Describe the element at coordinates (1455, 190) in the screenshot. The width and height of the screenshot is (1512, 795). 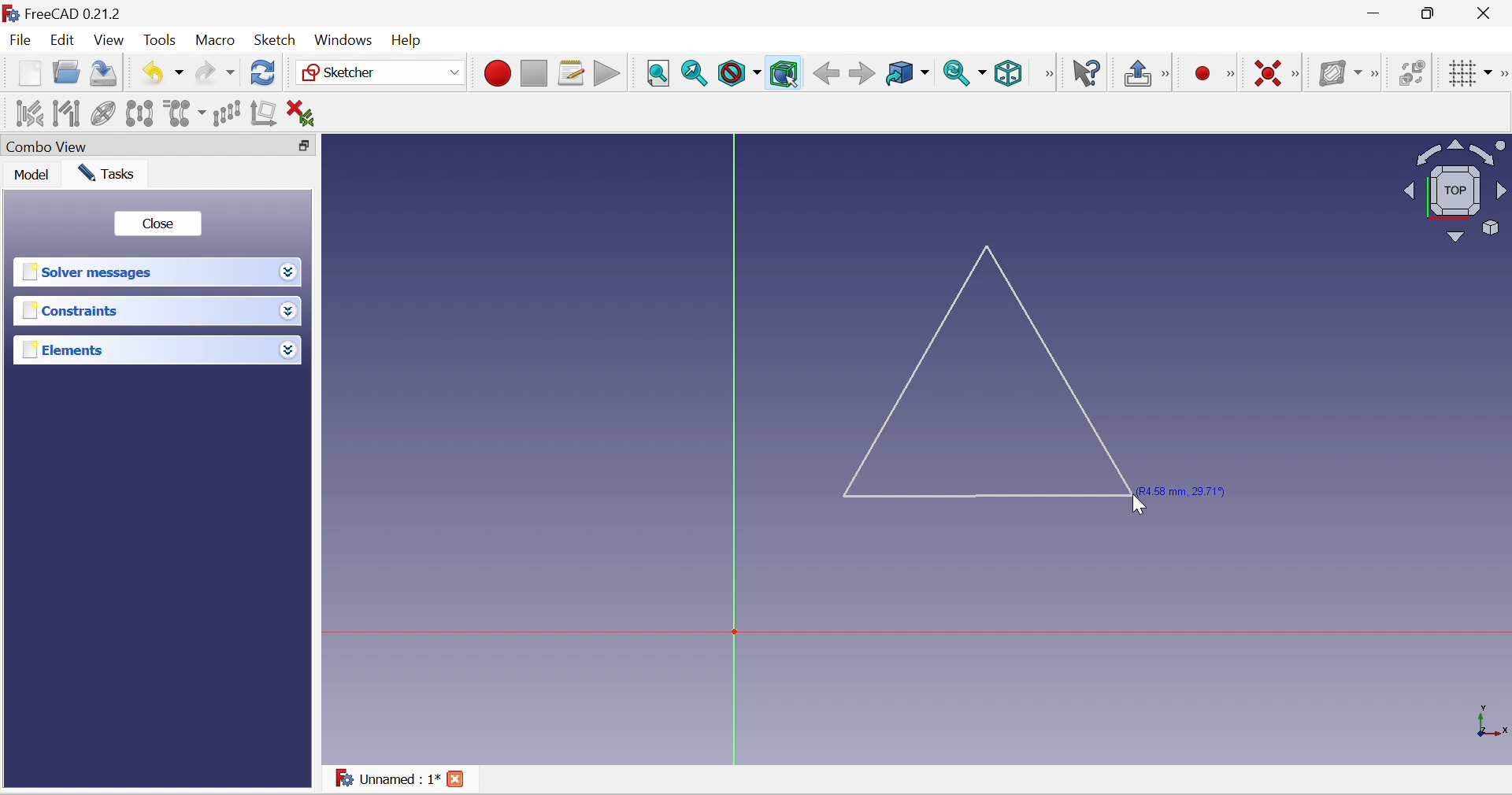
I see `Viewing angle` at that location.